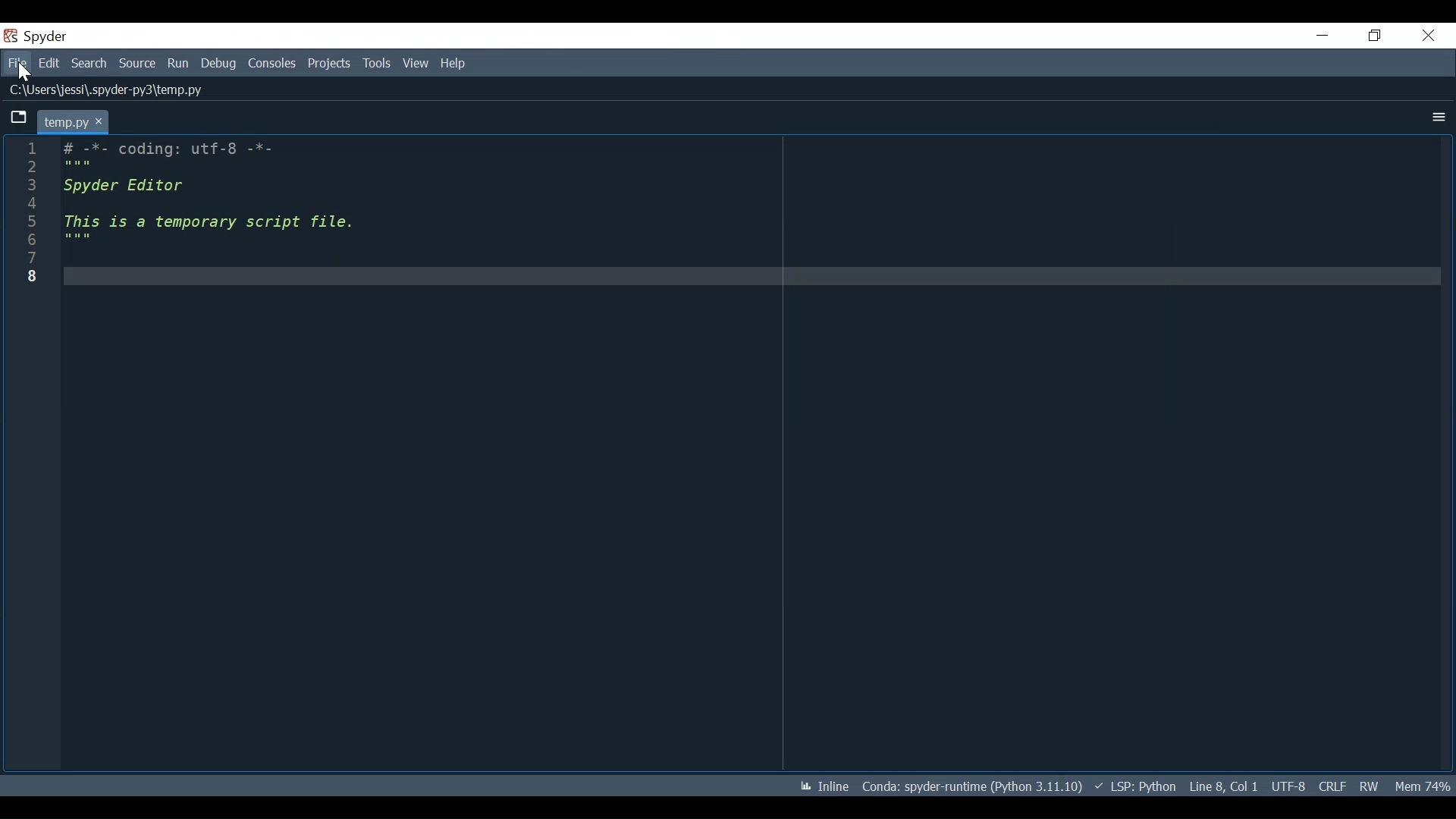 The width and height of the screenshot is (1456, 819). Describe the element at coordinates (17, 117) in the screenshot. I see `Browse tab` at that location.